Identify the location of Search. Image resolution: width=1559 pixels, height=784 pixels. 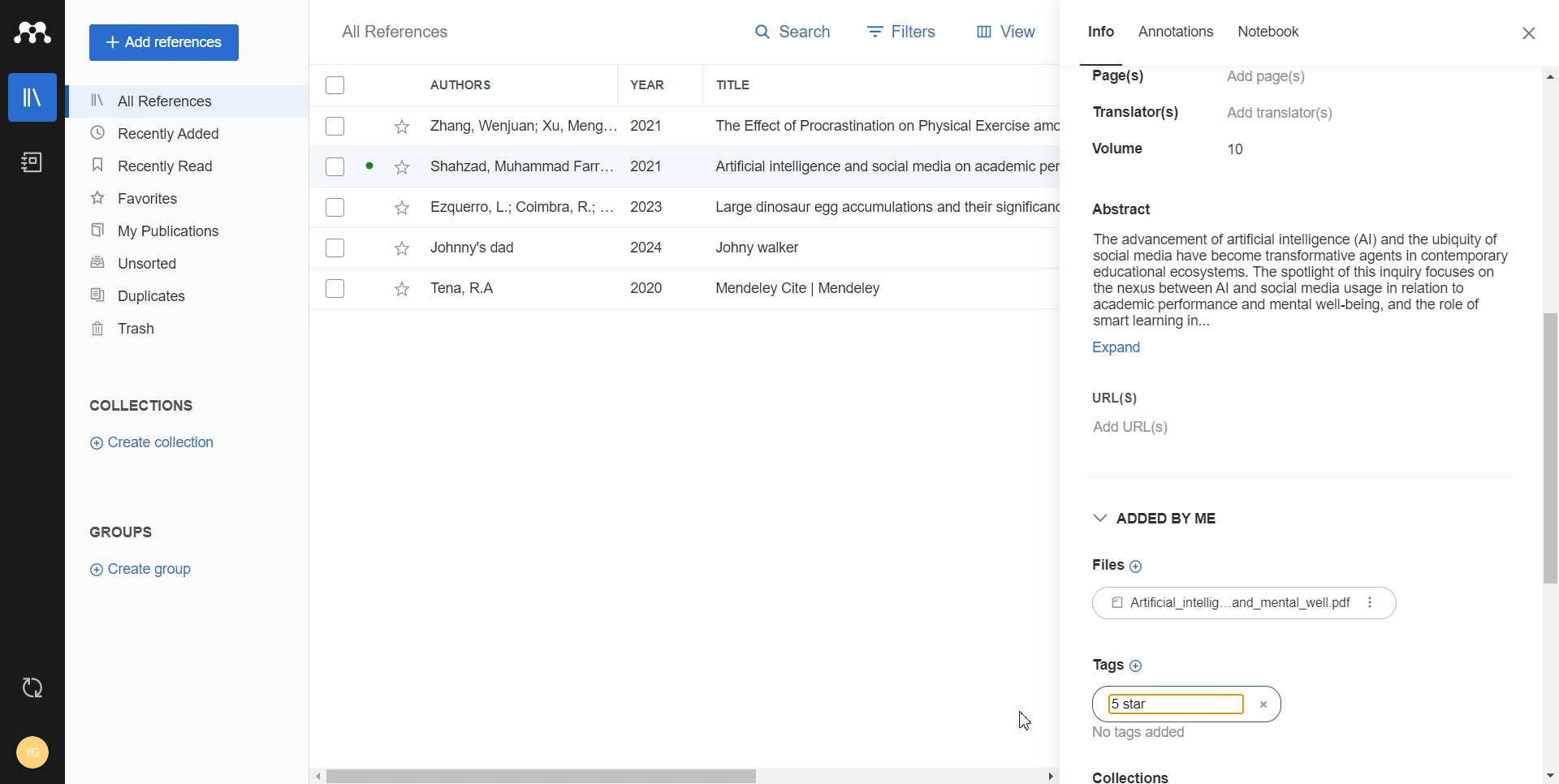
(786, 34).